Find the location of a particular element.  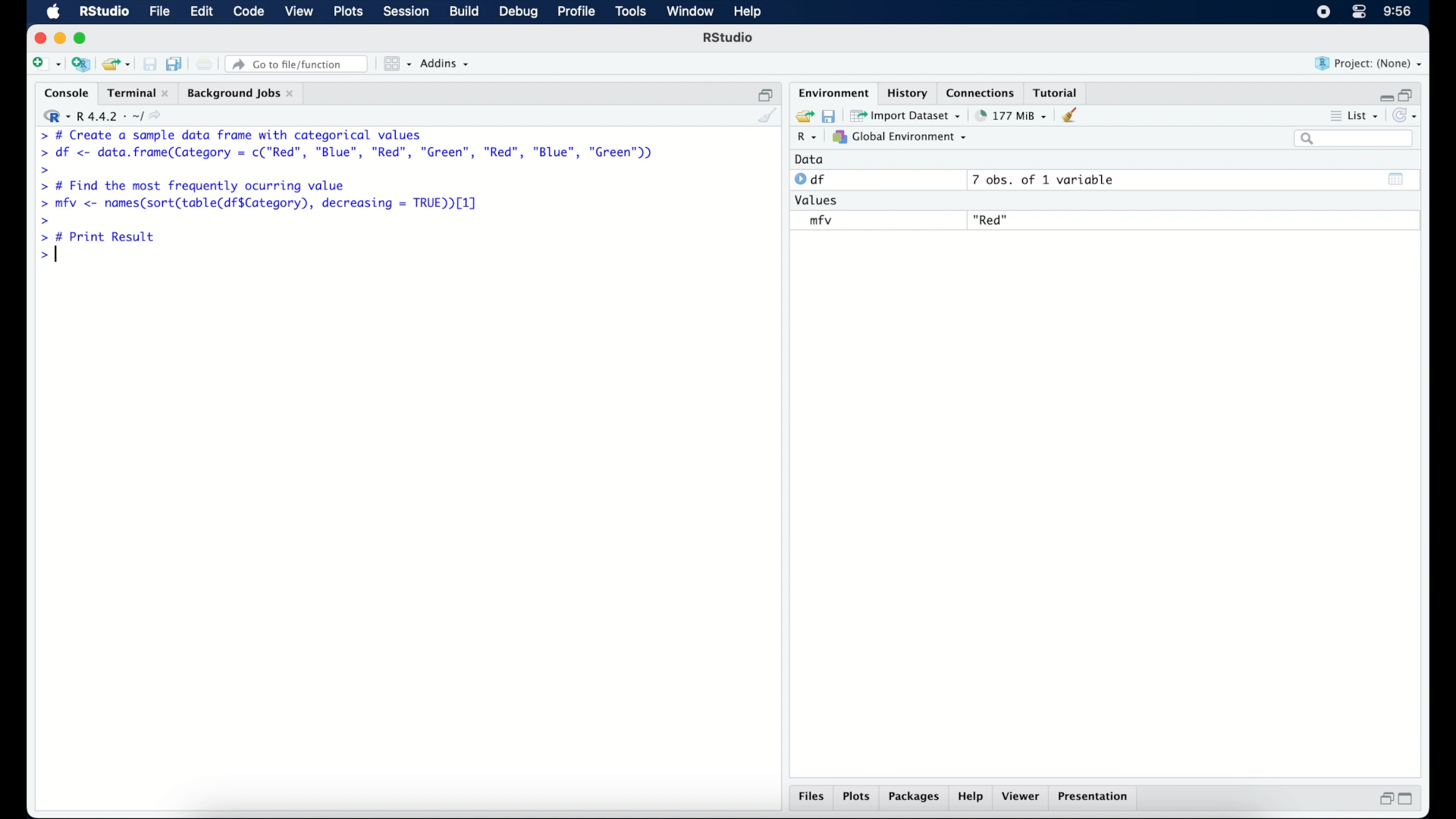

clear is located at coordinates (1075, 116).